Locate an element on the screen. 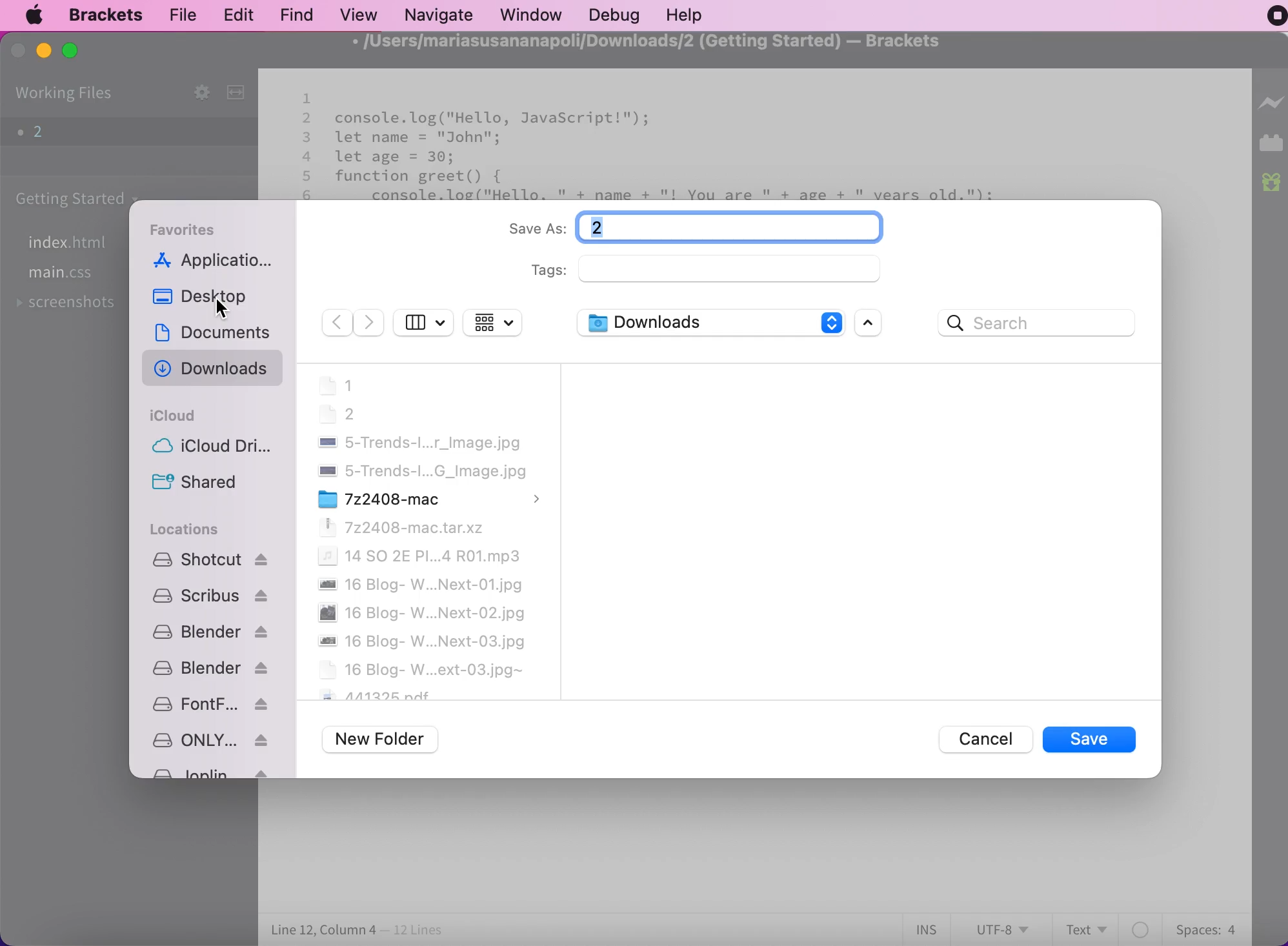 The image size is (1288, 946). live preview is located at coordinates (1271, 109).